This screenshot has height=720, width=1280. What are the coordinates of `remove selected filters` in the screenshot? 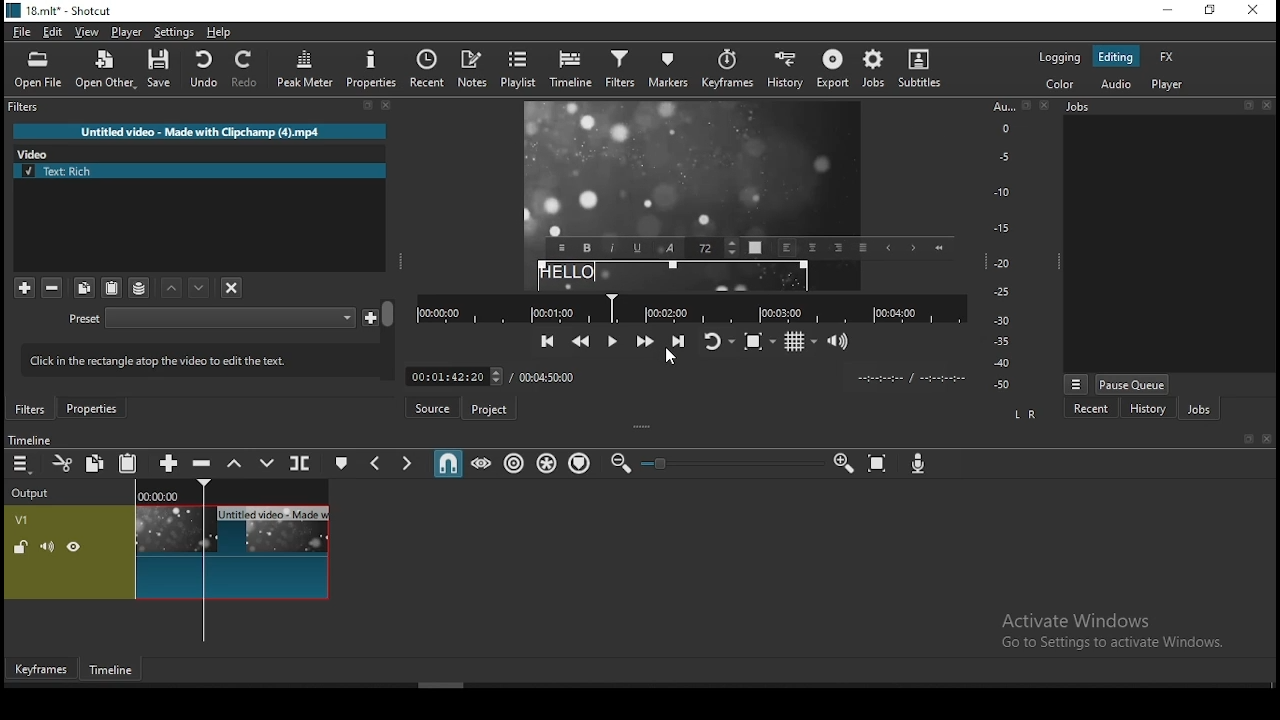 It's located at (53, 289).